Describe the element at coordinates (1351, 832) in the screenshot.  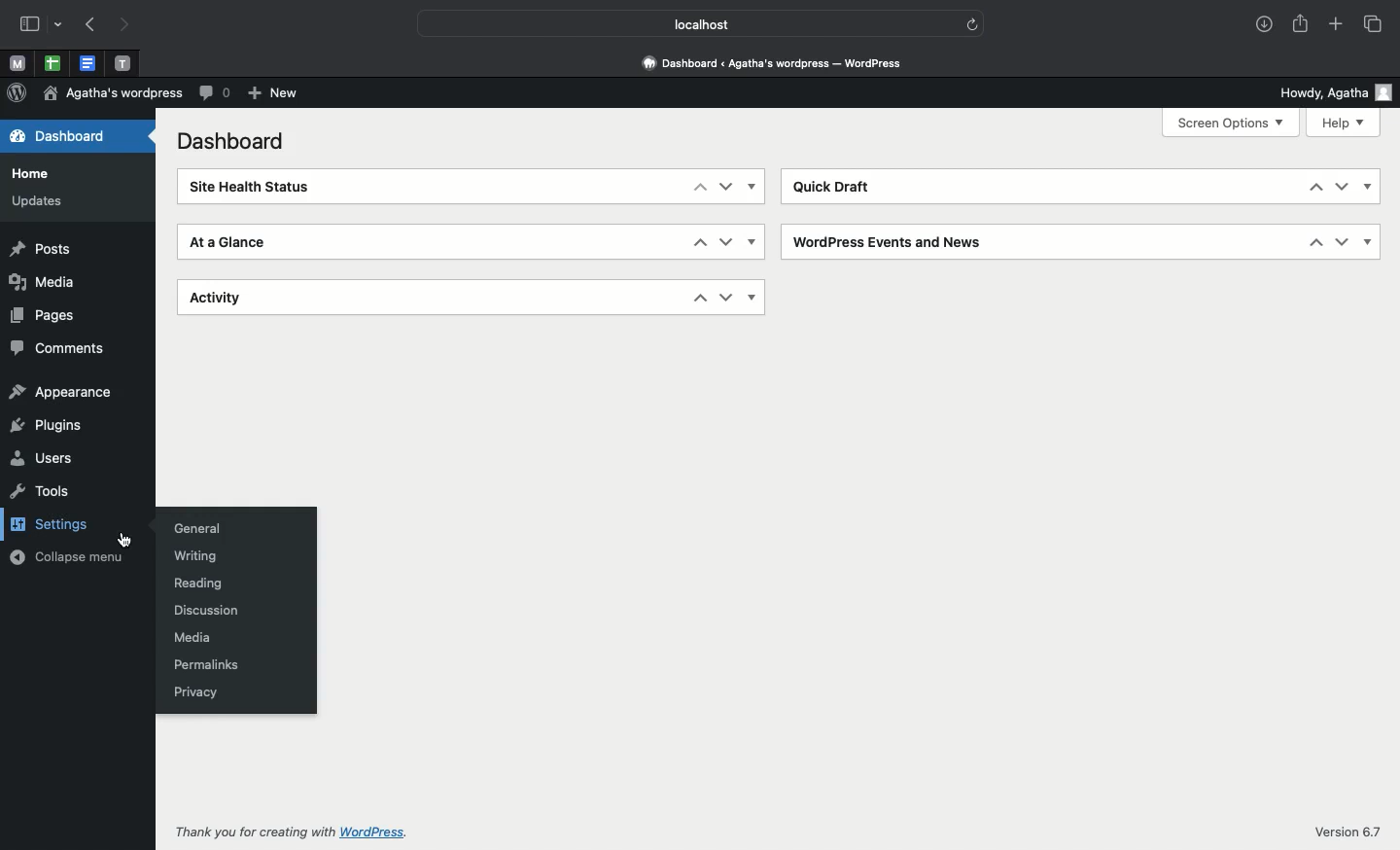
I see `Version 6.7` at that location.